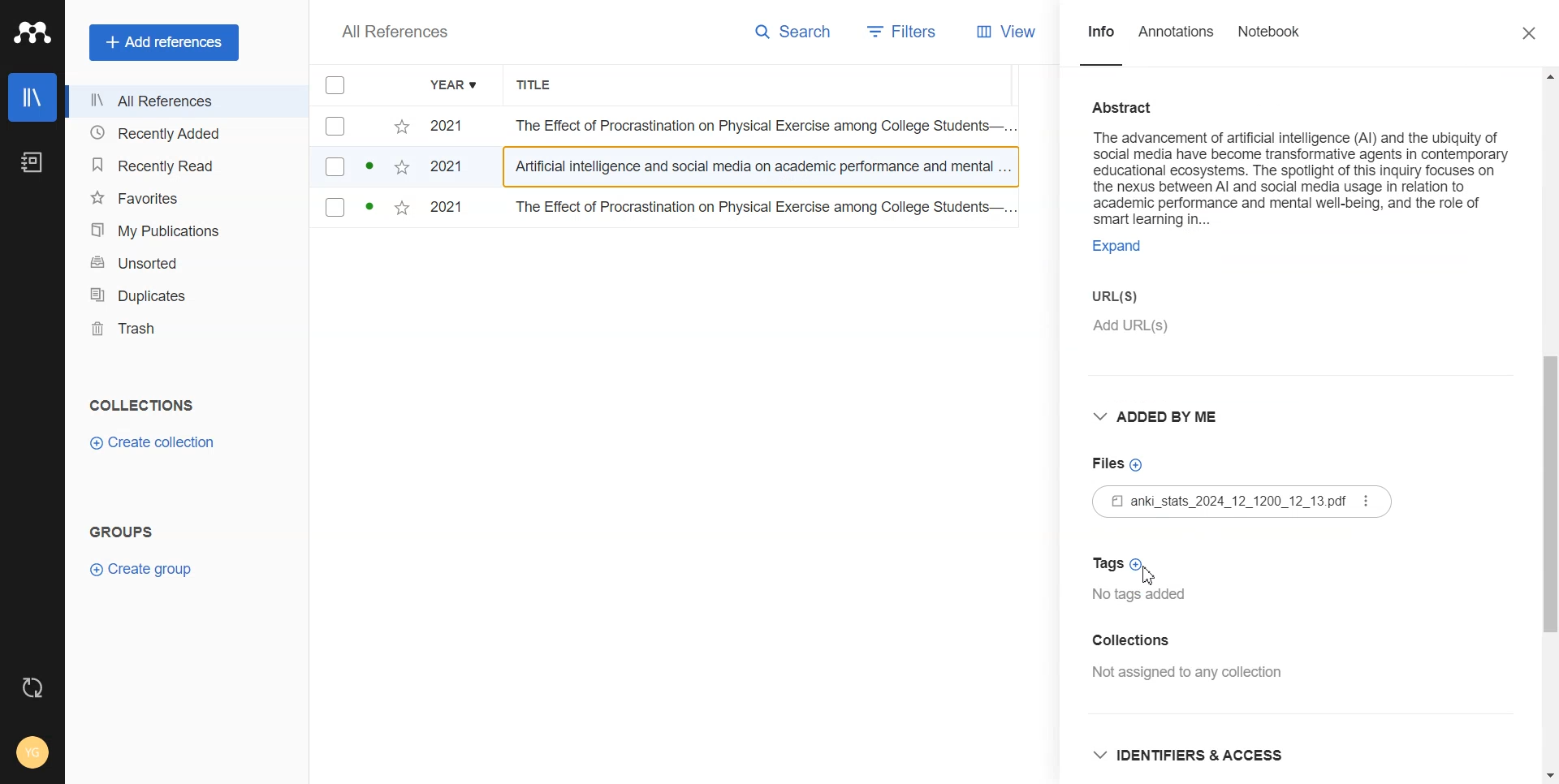  What do you see at coordinates (140, 569) in the screenshot?
I see `Create group` at bounding box center [140, 569].